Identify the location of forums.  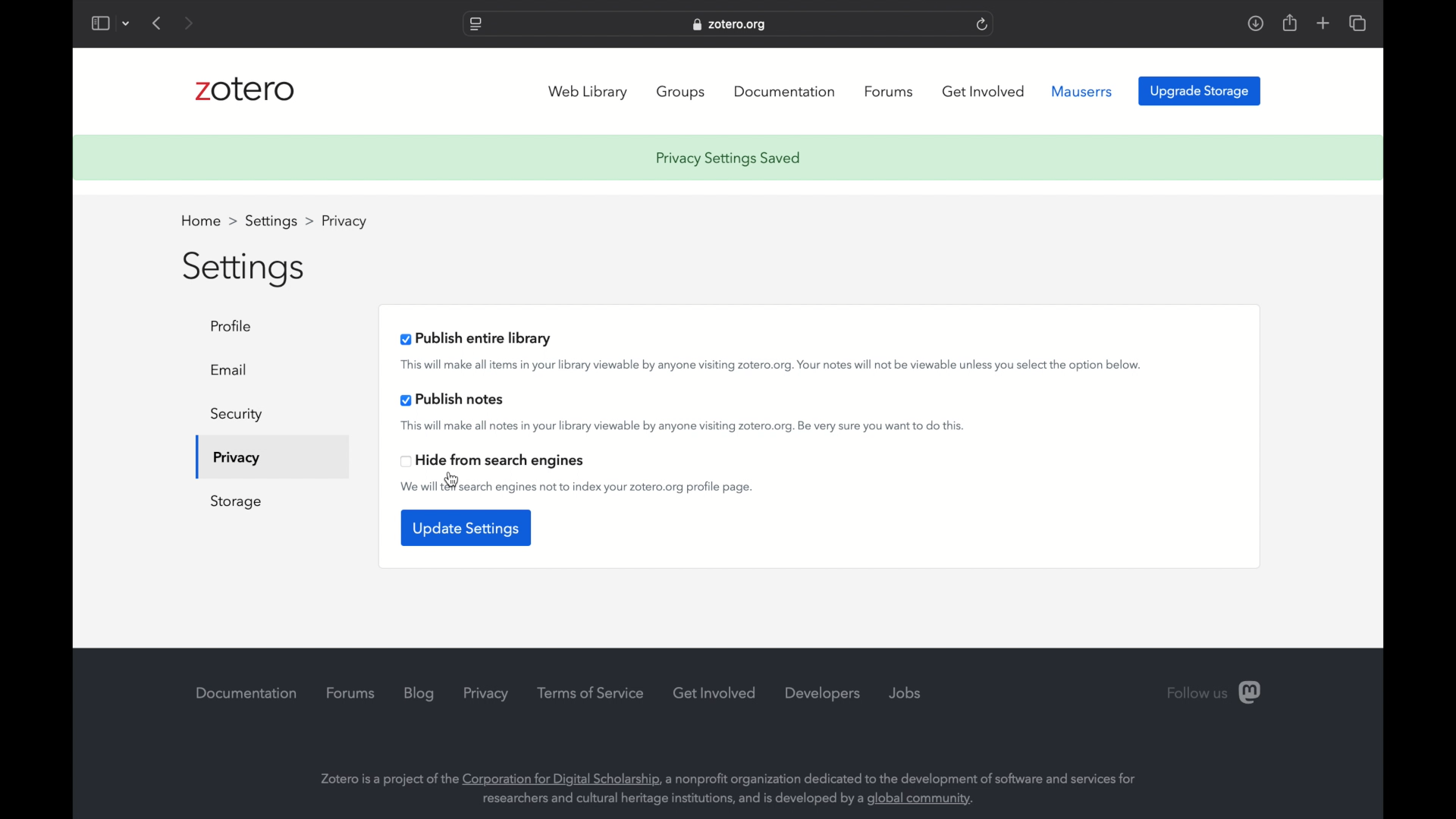
(355, 690).